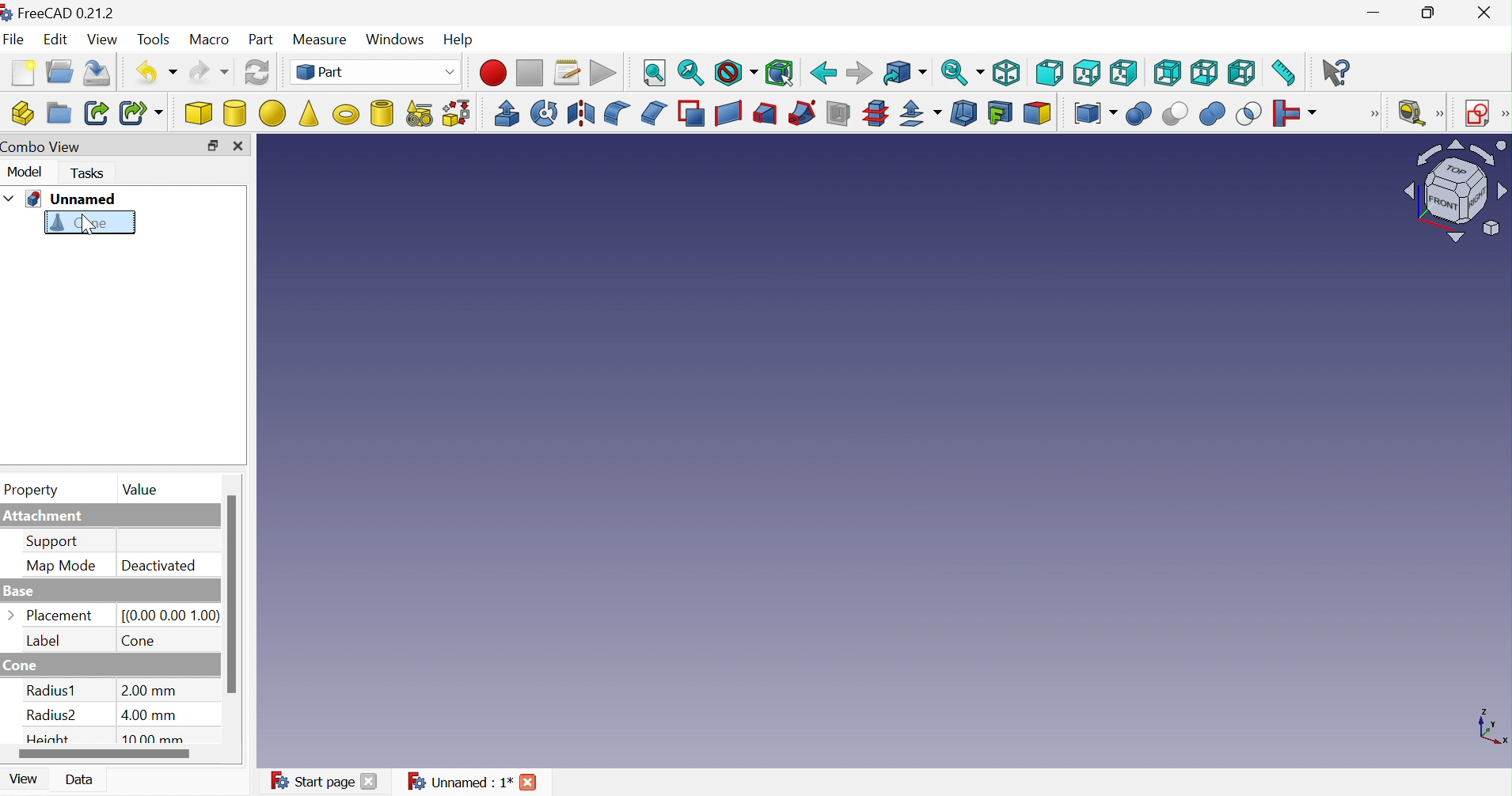 This screenshot has width=1512, height=796. What do you see at coordinates (998, 112) in the screenshot?
I see `Create projection on surface` at bounding box center [998, 112].